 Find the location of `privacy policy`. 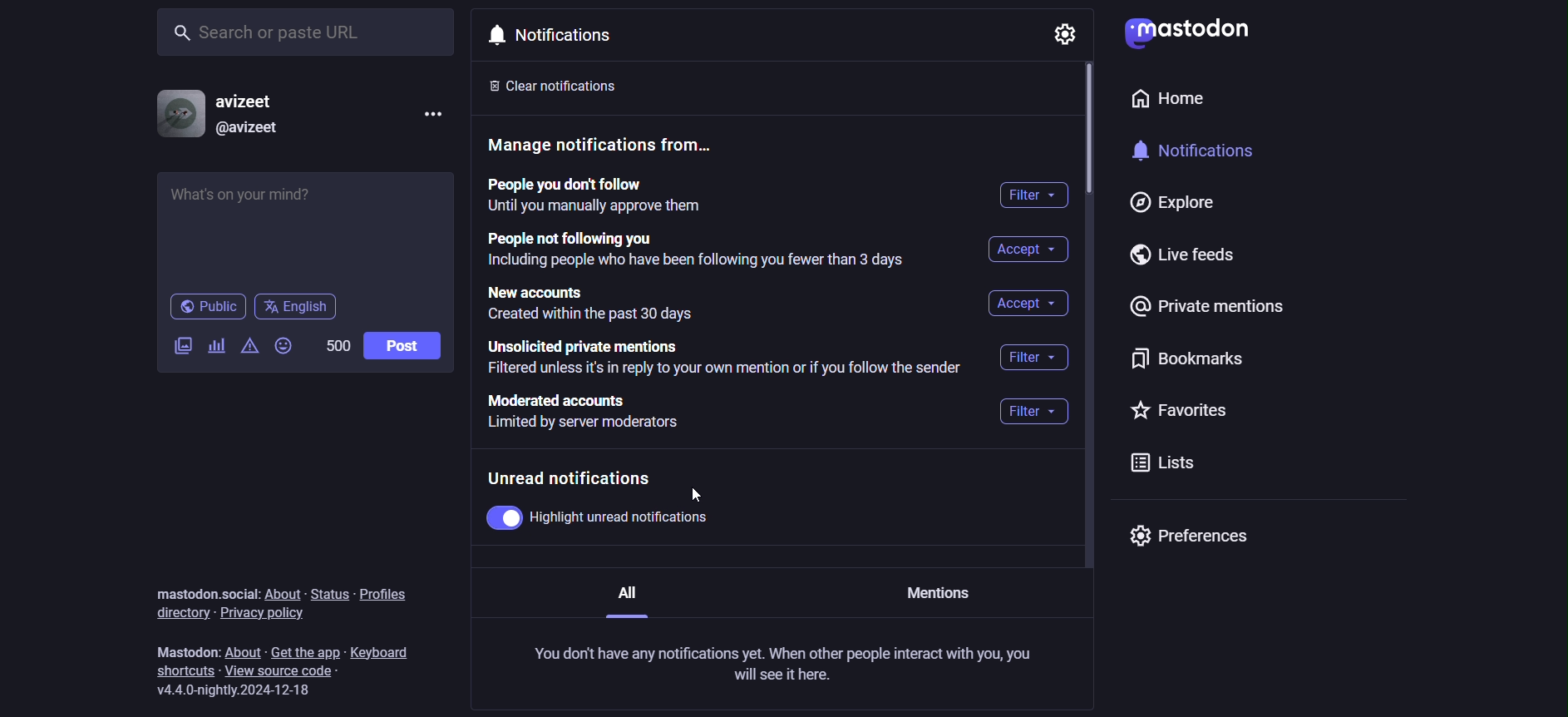

privacy policy is located at coordinates (266, 614).